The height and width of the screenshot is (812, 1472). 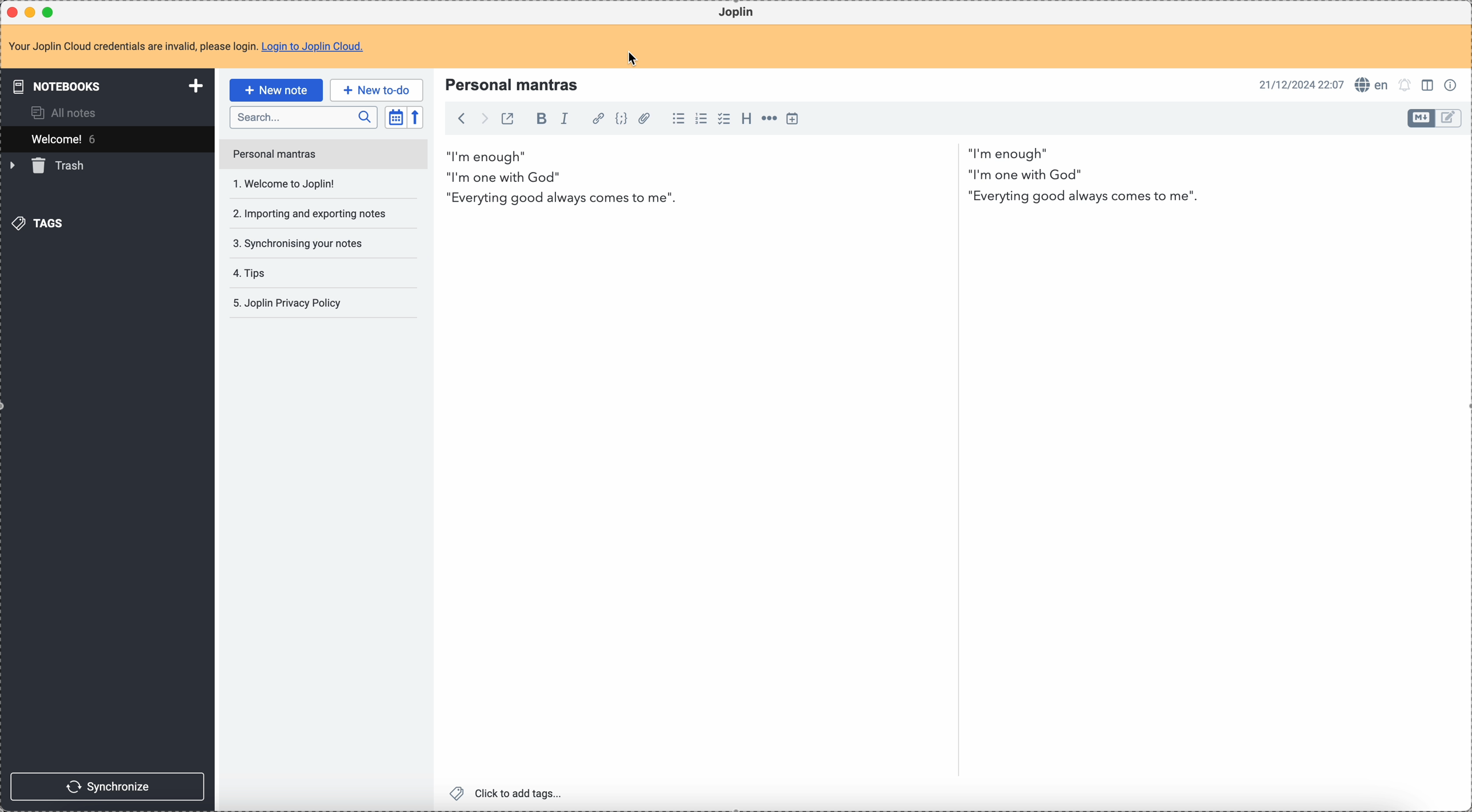 What do you see at coordinates (701, 119) in the screenshot?
I see `numbered list` at bounding box center [701, 119].